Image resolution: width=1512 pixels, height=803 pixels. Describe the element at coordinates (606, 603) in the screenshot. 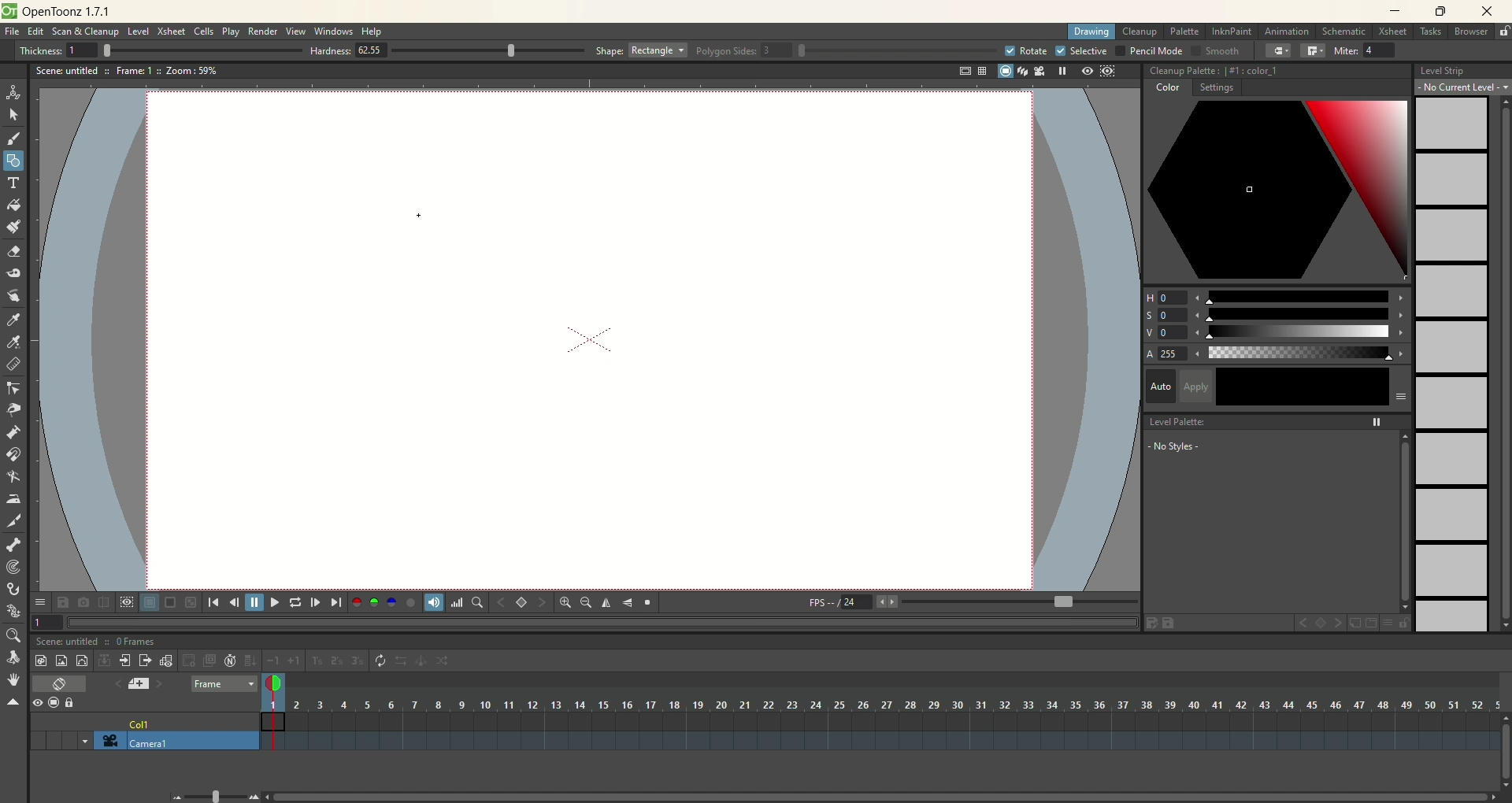

I see `flip horizontally` at that location.